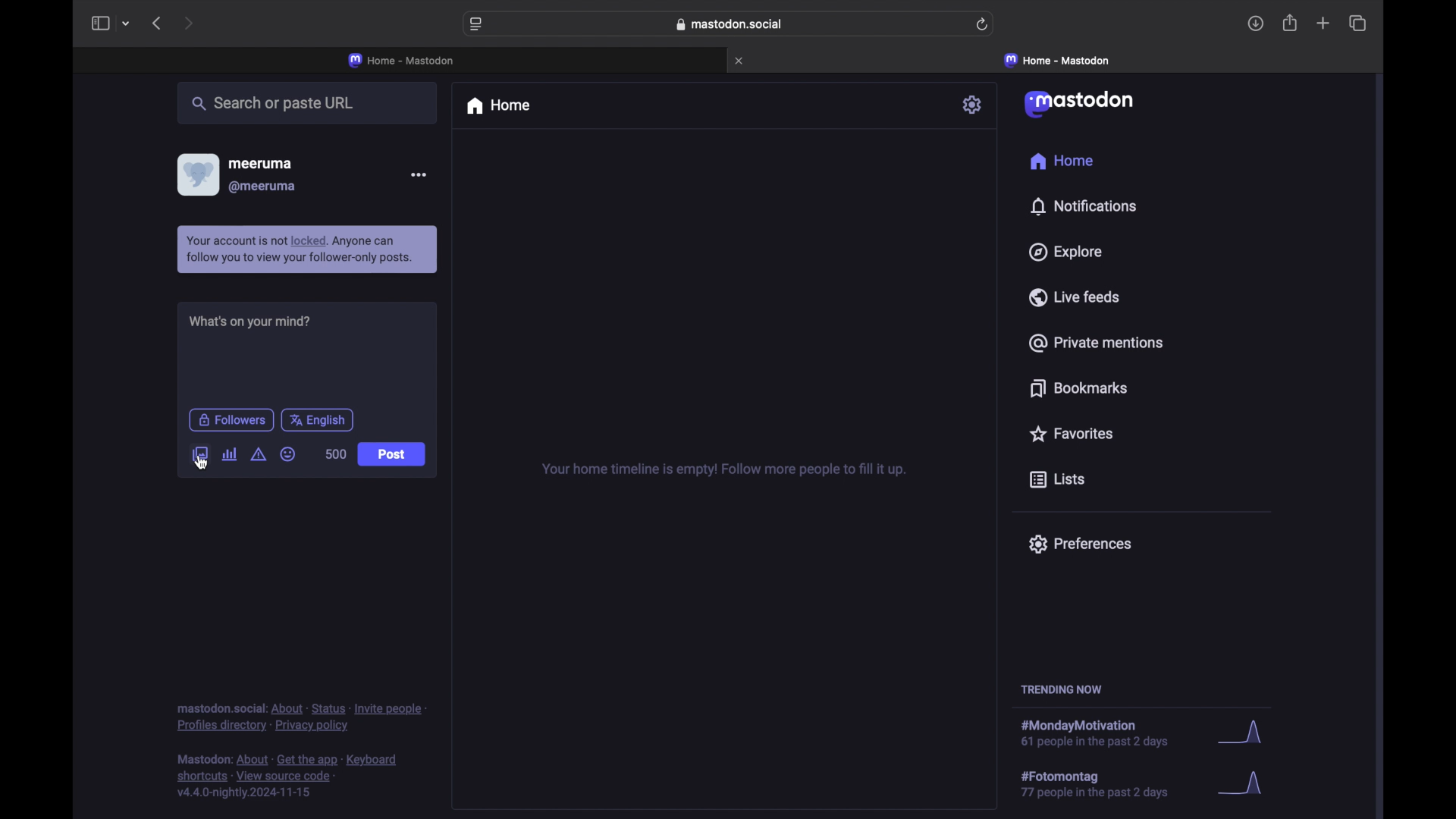 The height and width of the screenshot is (819, 1456). I want to click on private  mentions, so click(1095, 343).